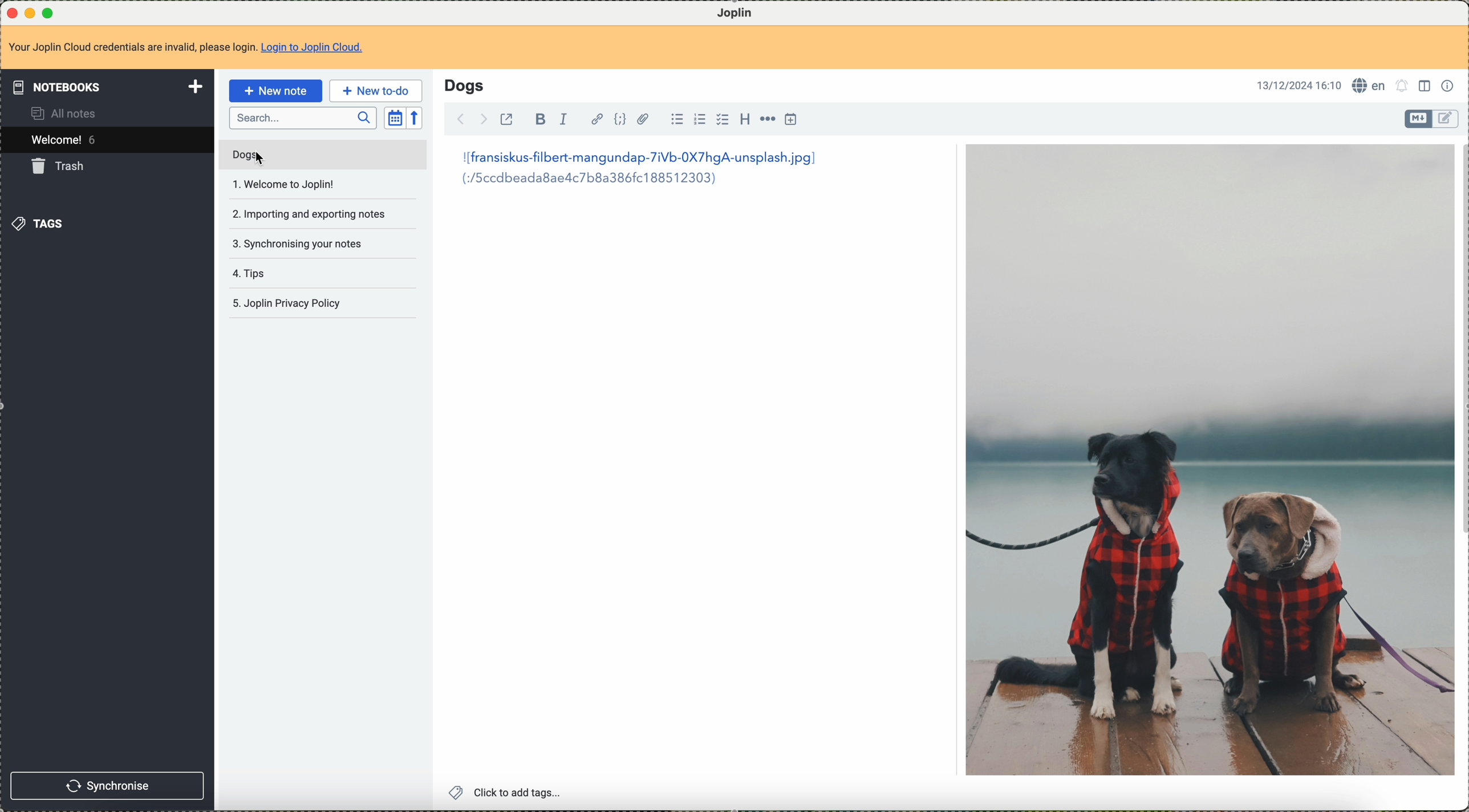 Image resolution: width=1469 pixels, height=812 pixels. What do you see at coordinates (307, 214) in the screenshot?
I see `importing and exportin notes` at bounding box center [307, 214].